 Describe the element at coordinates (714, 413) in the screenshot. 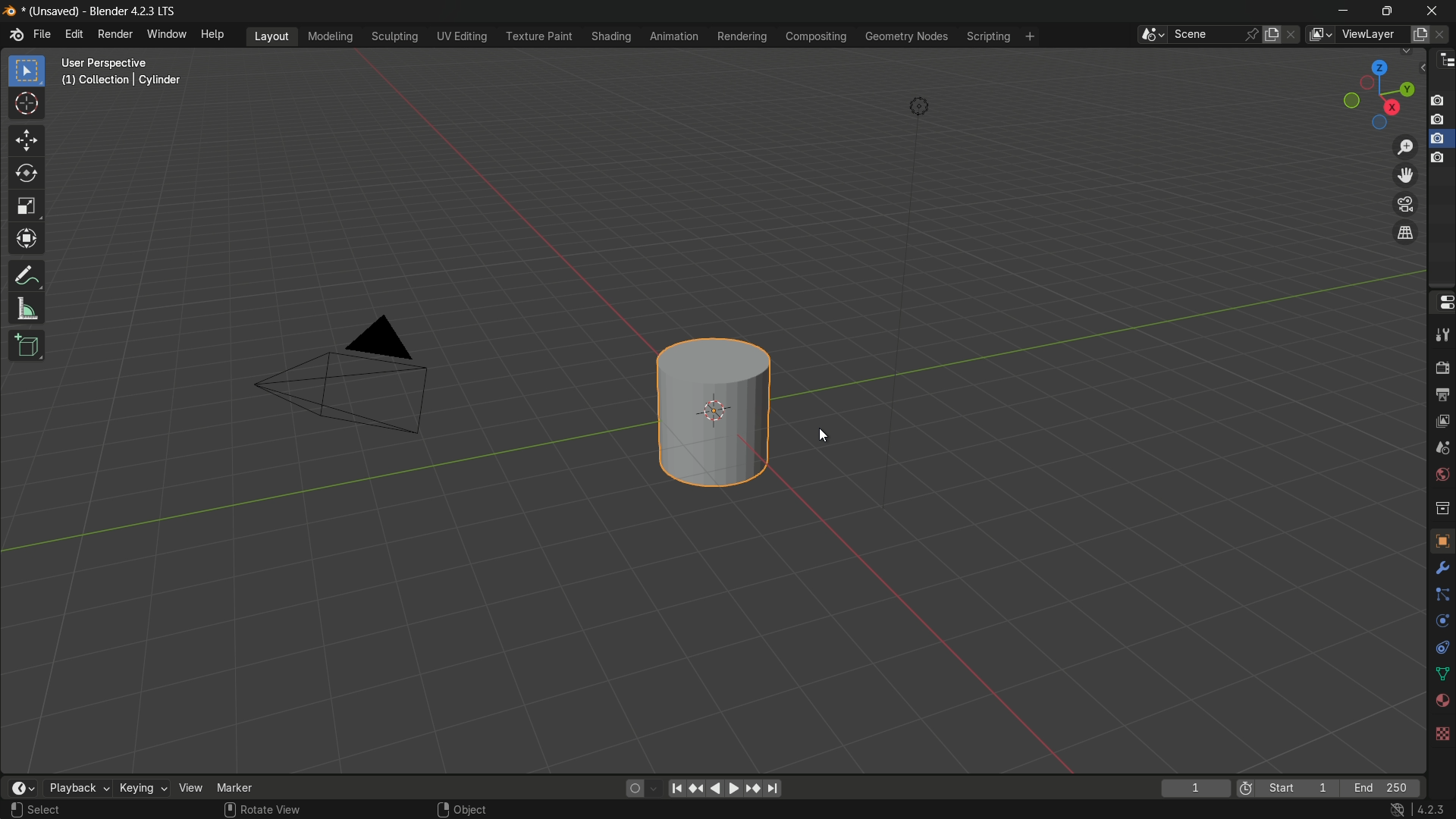

I see `Cylinder ` at that location.